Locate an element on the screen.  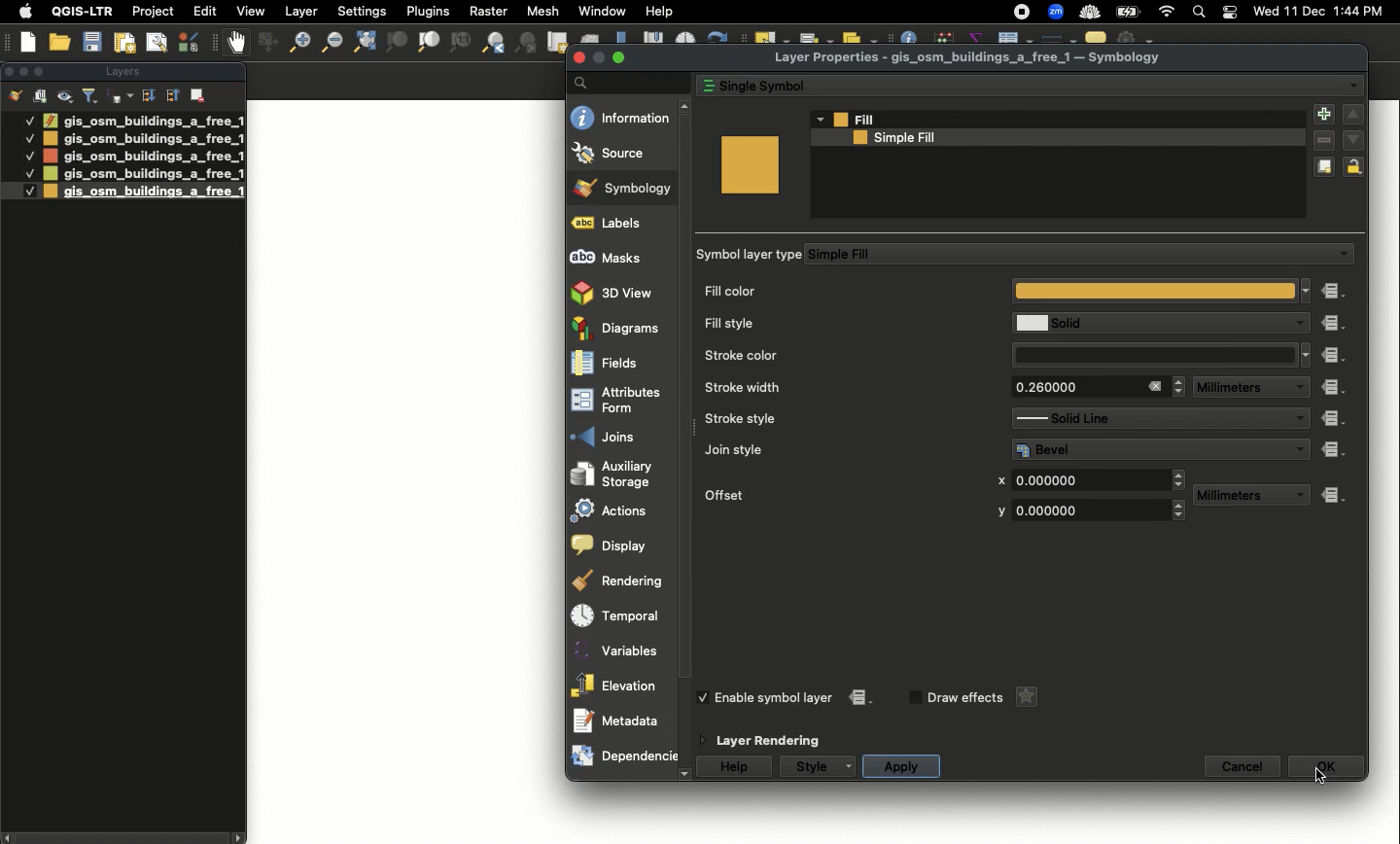
Drop down is located at coordinates (1297, 496).